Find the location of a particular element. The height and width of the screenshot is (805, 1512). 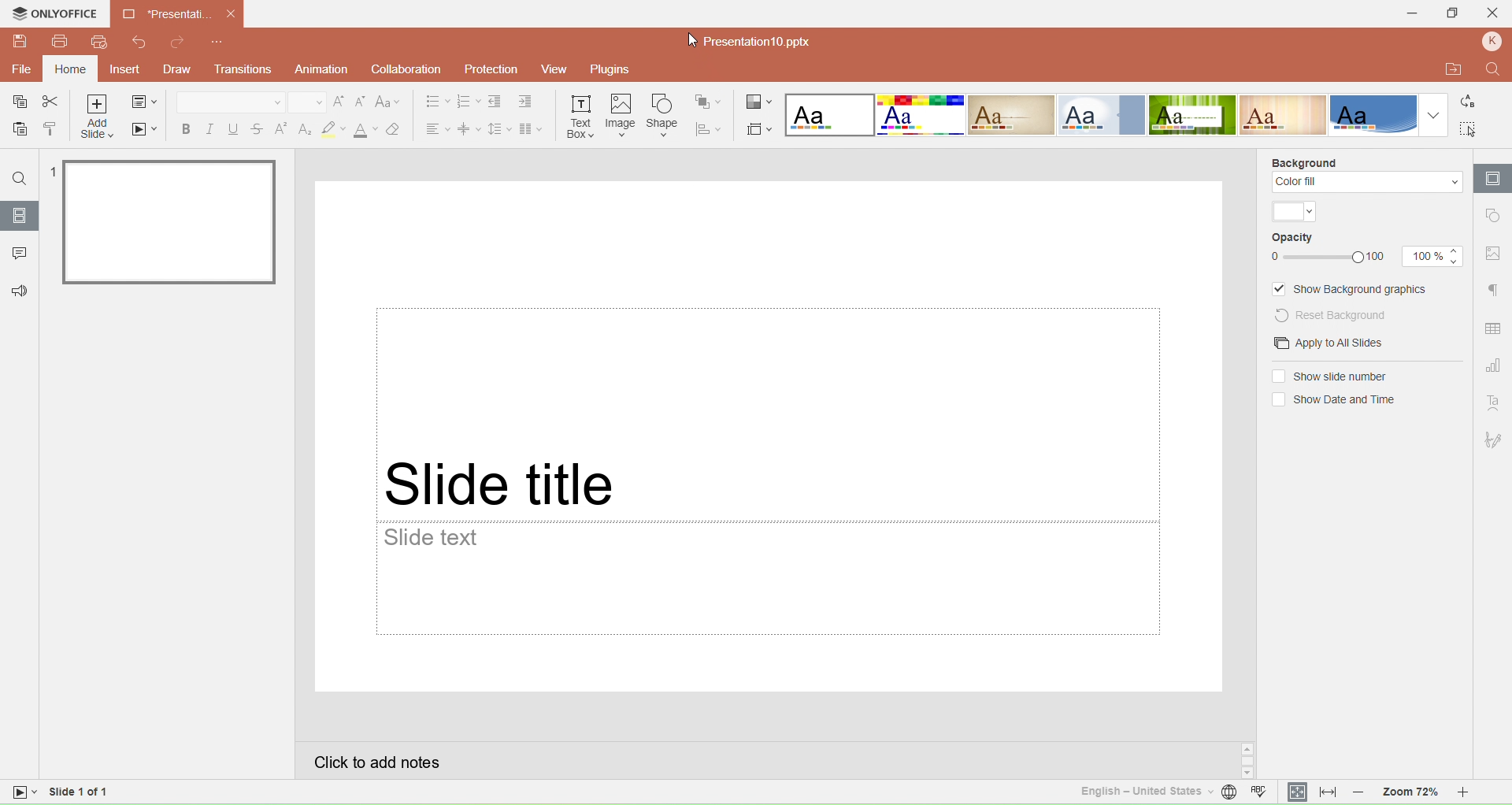

Apply to all slides is located at coordinates (1323, 343).